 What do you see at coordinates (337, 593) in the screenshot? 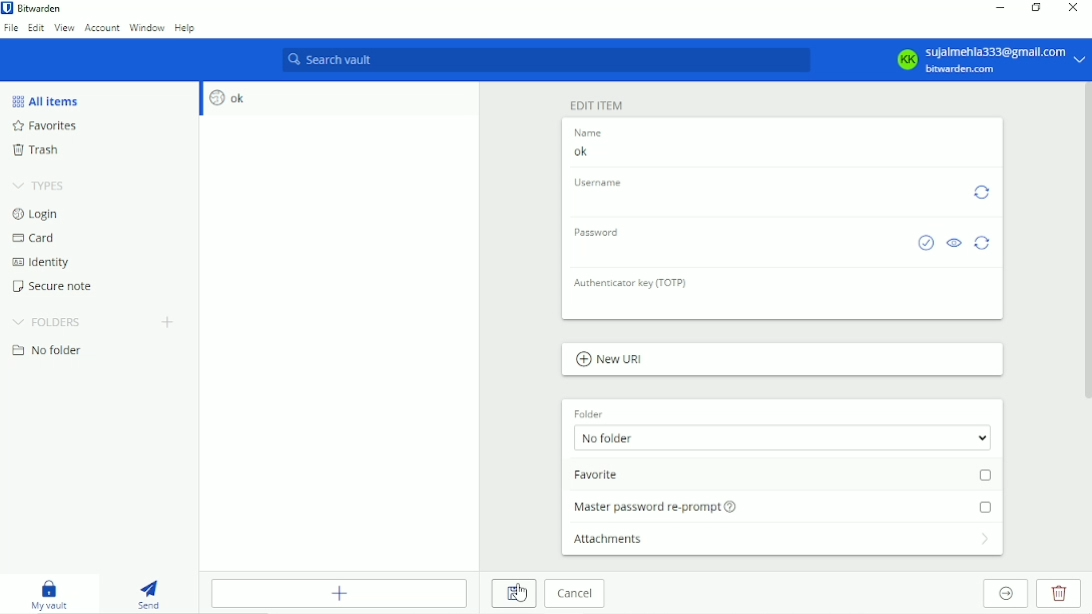
I see `Add item` at bounding box center [337, 593].